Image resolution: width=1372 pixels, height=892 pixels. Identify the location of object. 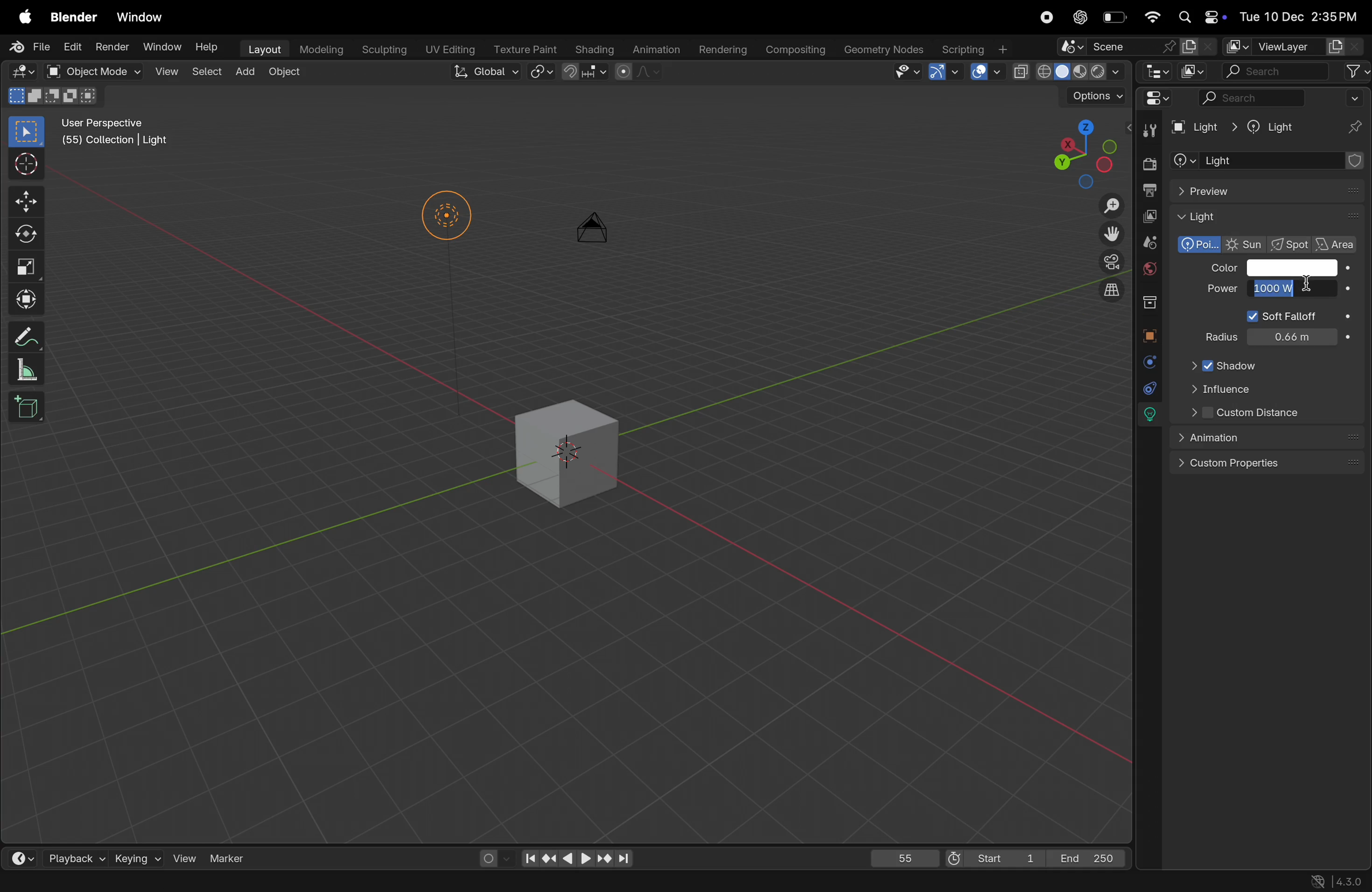
(1152, 334).